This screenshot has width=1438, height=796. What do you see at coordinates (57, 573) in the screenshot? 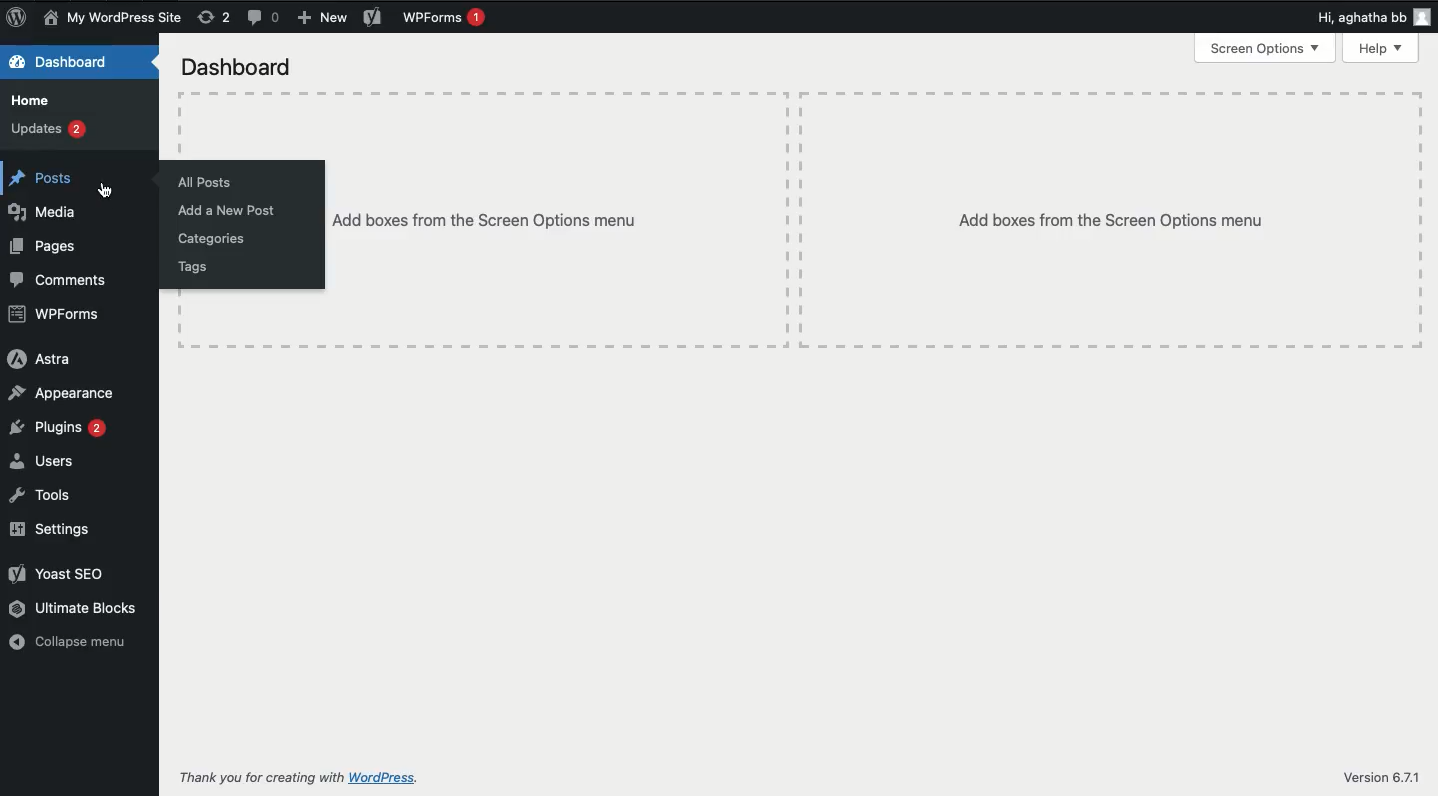
I see `Yoast` at bounding box center [57, 573].